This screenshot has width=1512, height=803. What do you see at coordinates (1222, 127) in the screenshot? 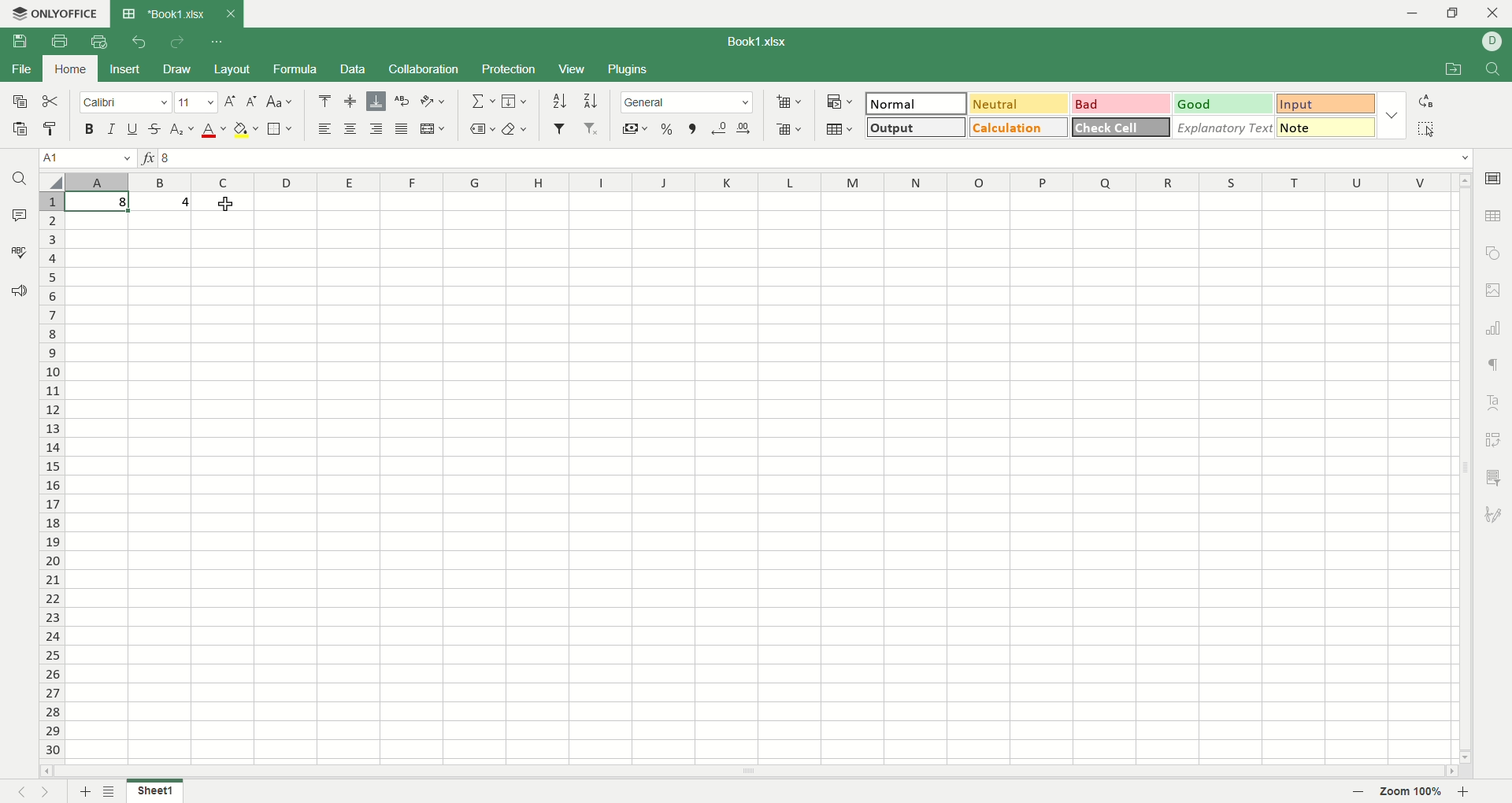
I see `explanatory text` at bounding box center [1222, 127].